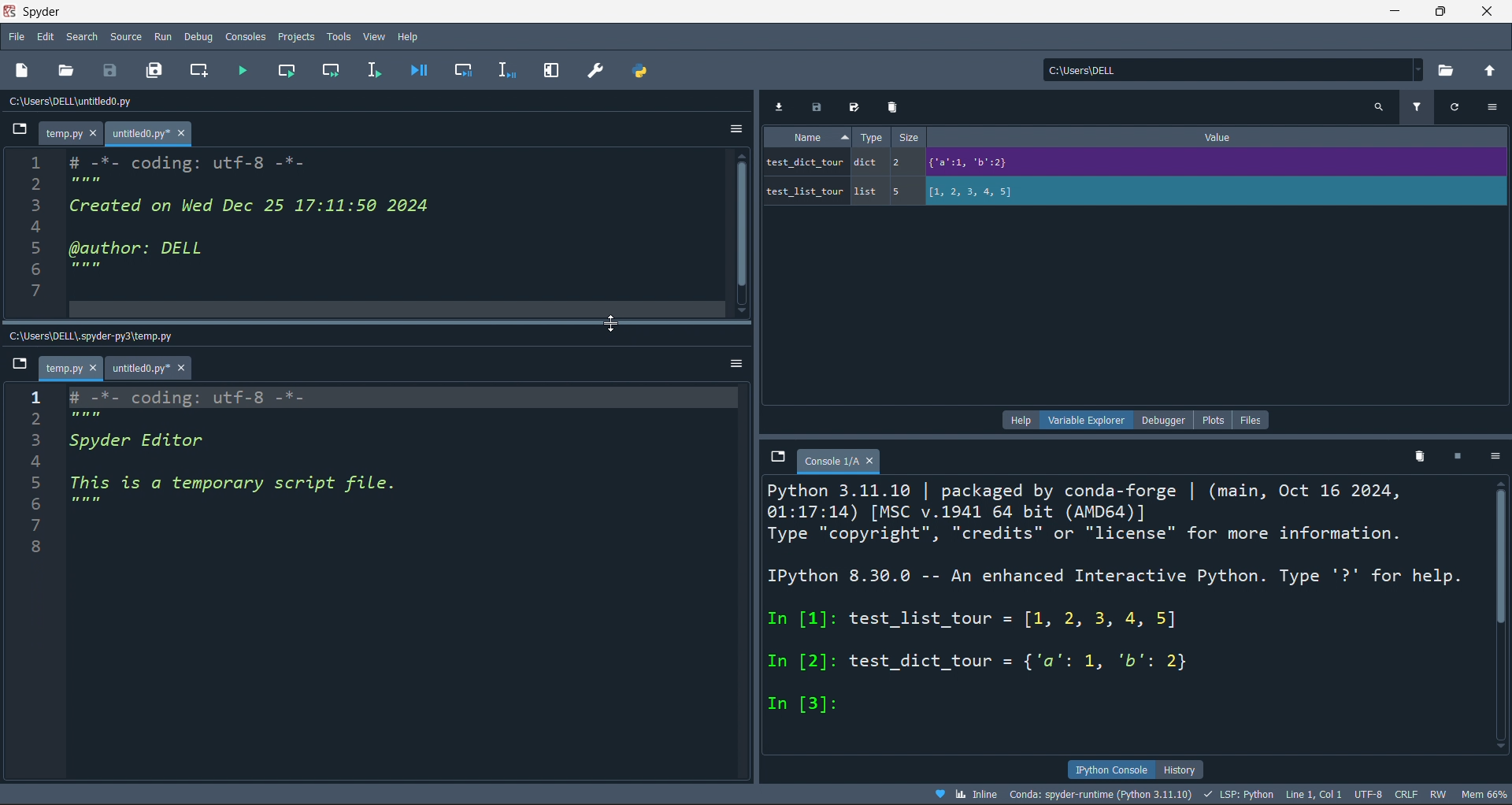  What do you see at coordinates (371, 35) in the screenshot?
I see `view` at bounding box center [371, 35].